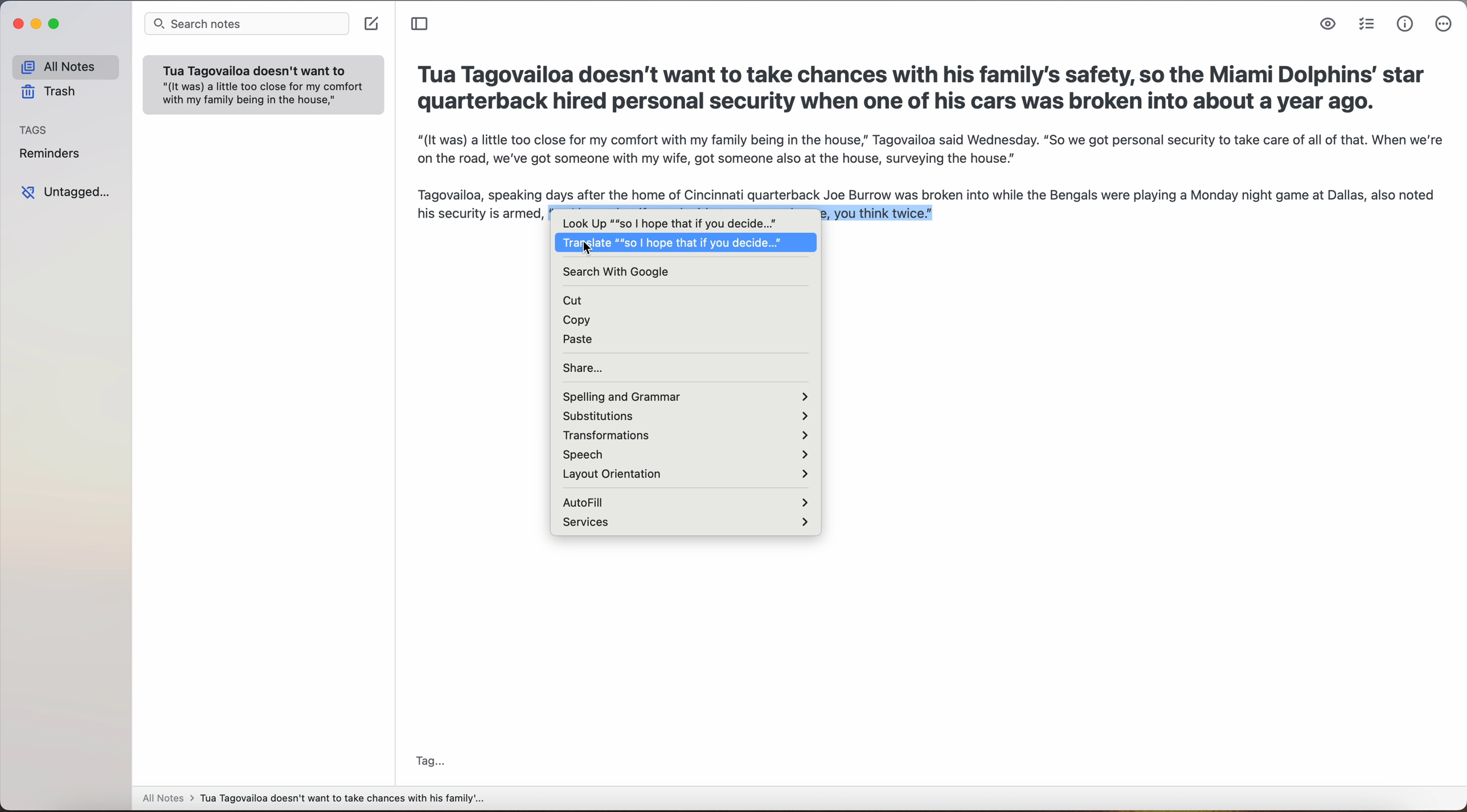 The image size is (1467, 812). Describe the element at coordinates (685, 474) in the screenshot. I see `layout orientation` at that location.